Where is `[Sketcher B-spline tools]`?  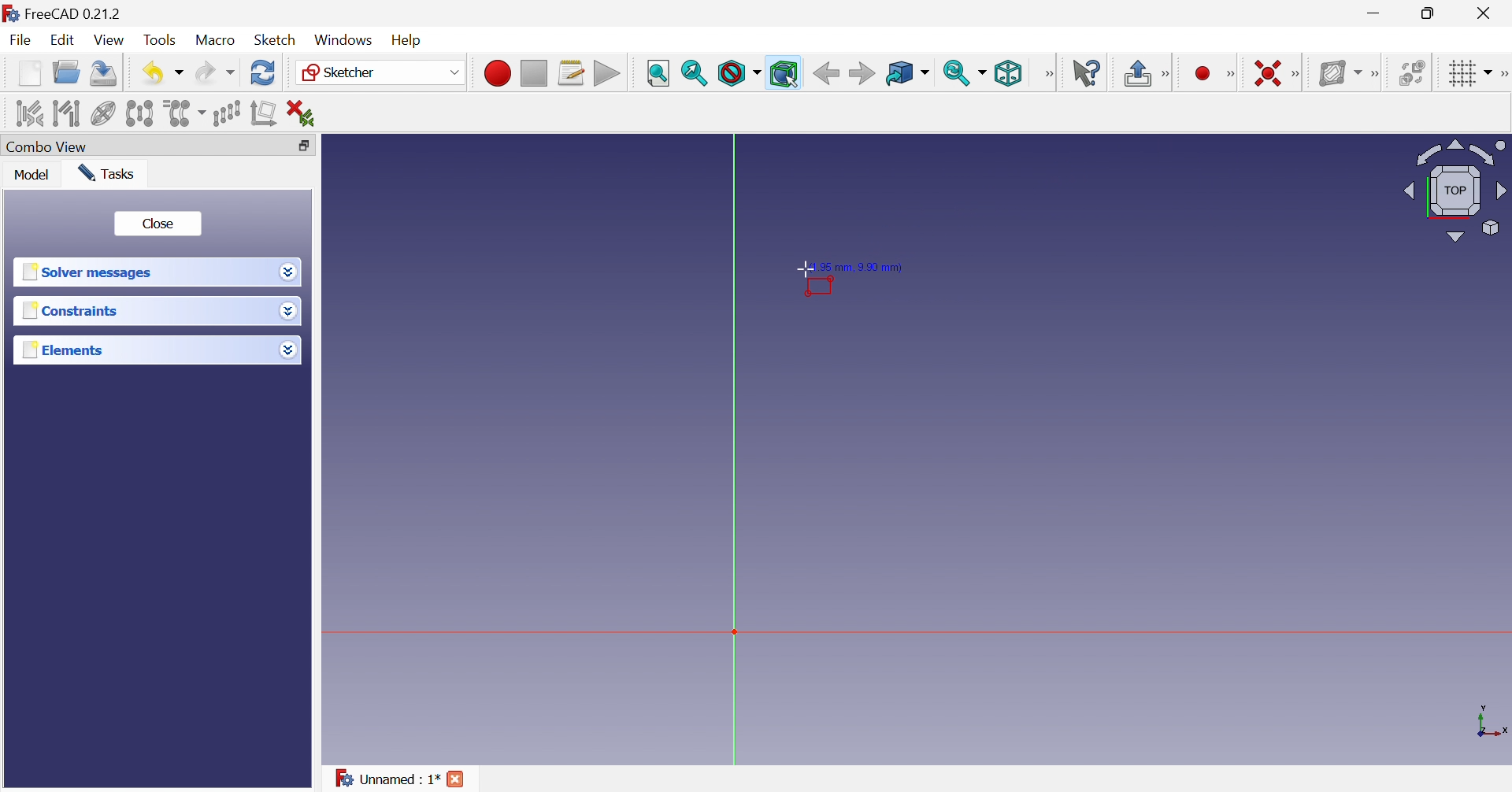 [Sketcher B-spline tools] is located at coordinates (1377, 76).